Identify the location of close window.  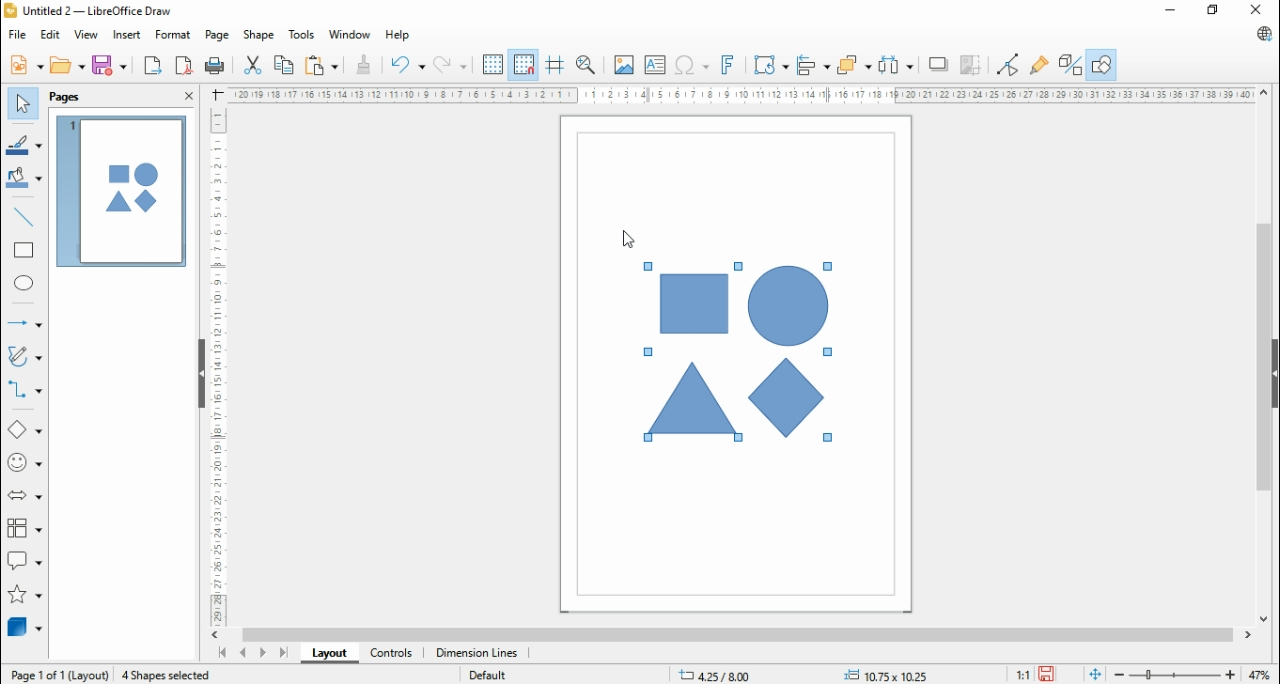
(1260, 9).